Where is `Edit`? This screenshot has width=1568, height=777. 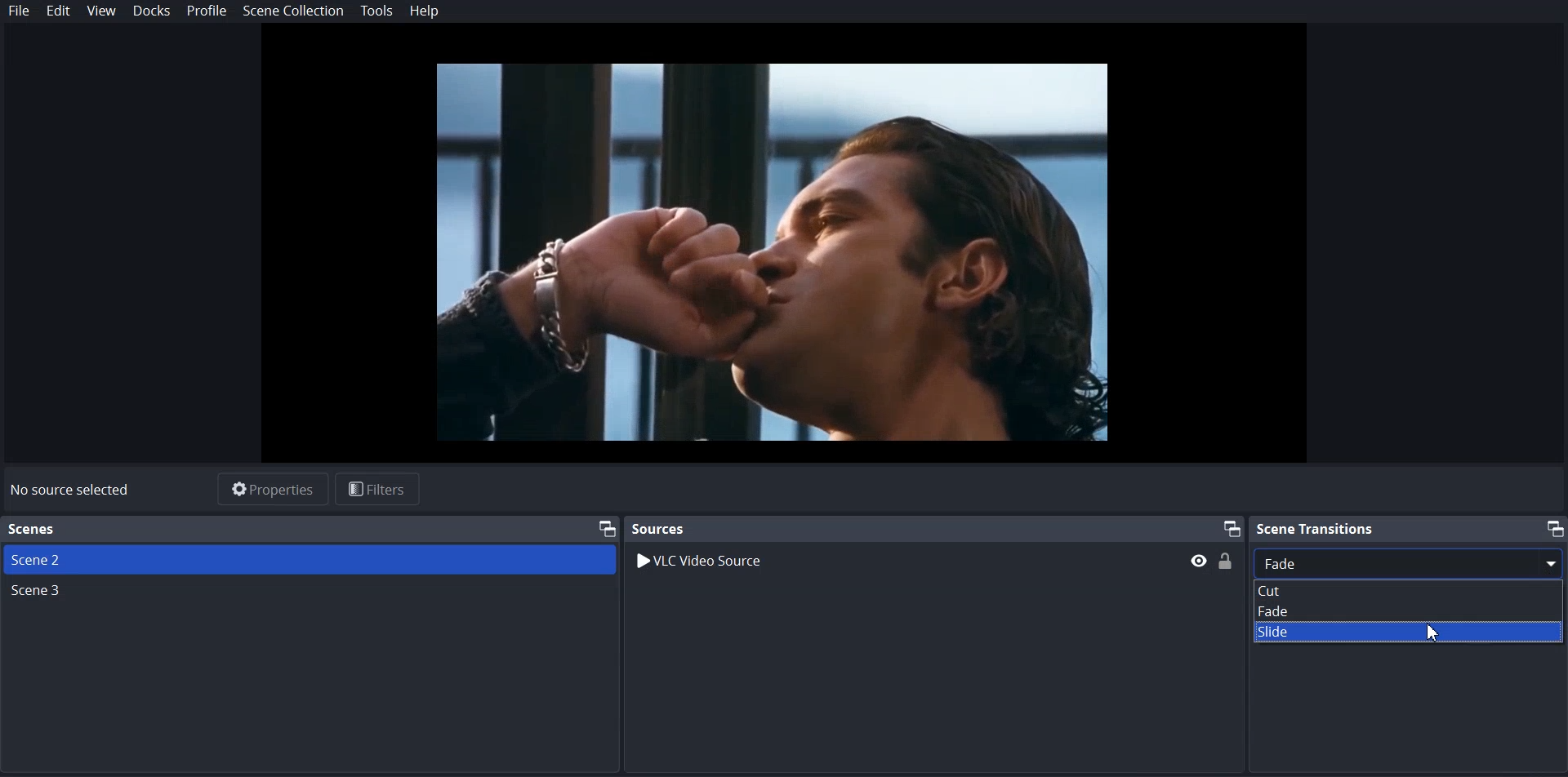
Edit is located at coordinates (58, 11).